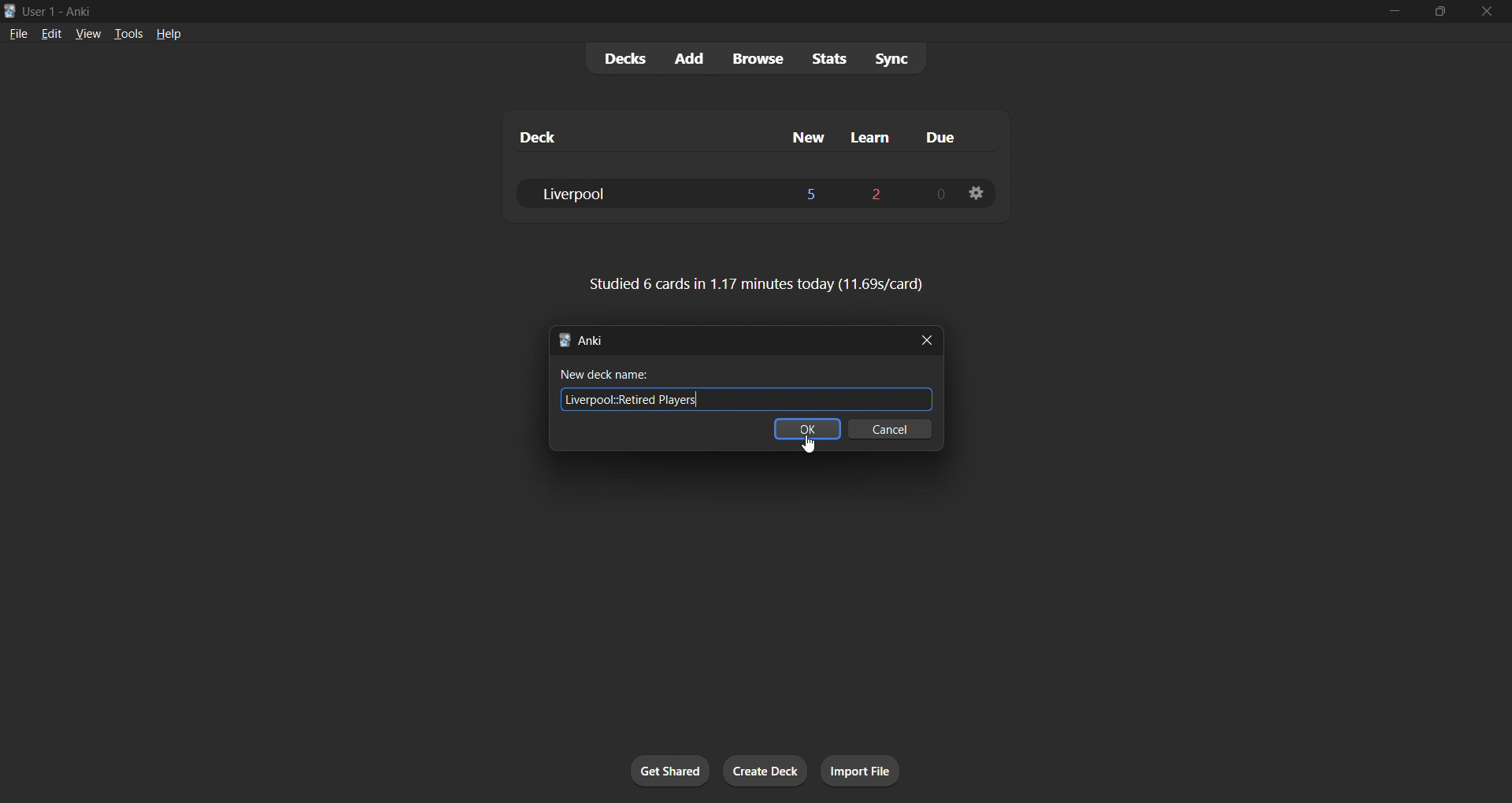 The image size is (1512, 803). Describe the element at coordinates (684, 59) in the screenshot. I see `add` at that location.